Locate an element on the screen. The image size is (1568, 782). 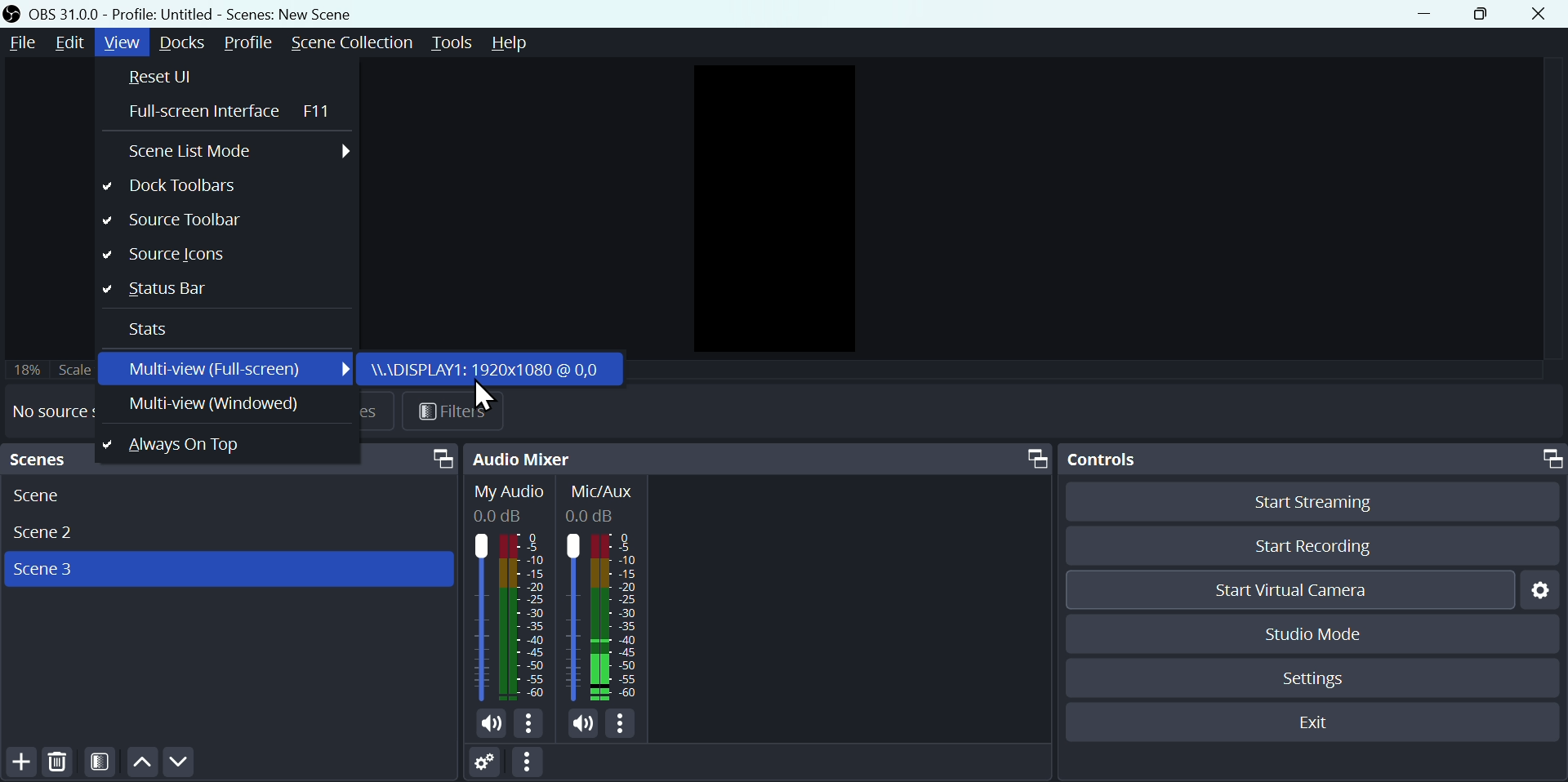
Start recording is located at coordinates (1321, 544).